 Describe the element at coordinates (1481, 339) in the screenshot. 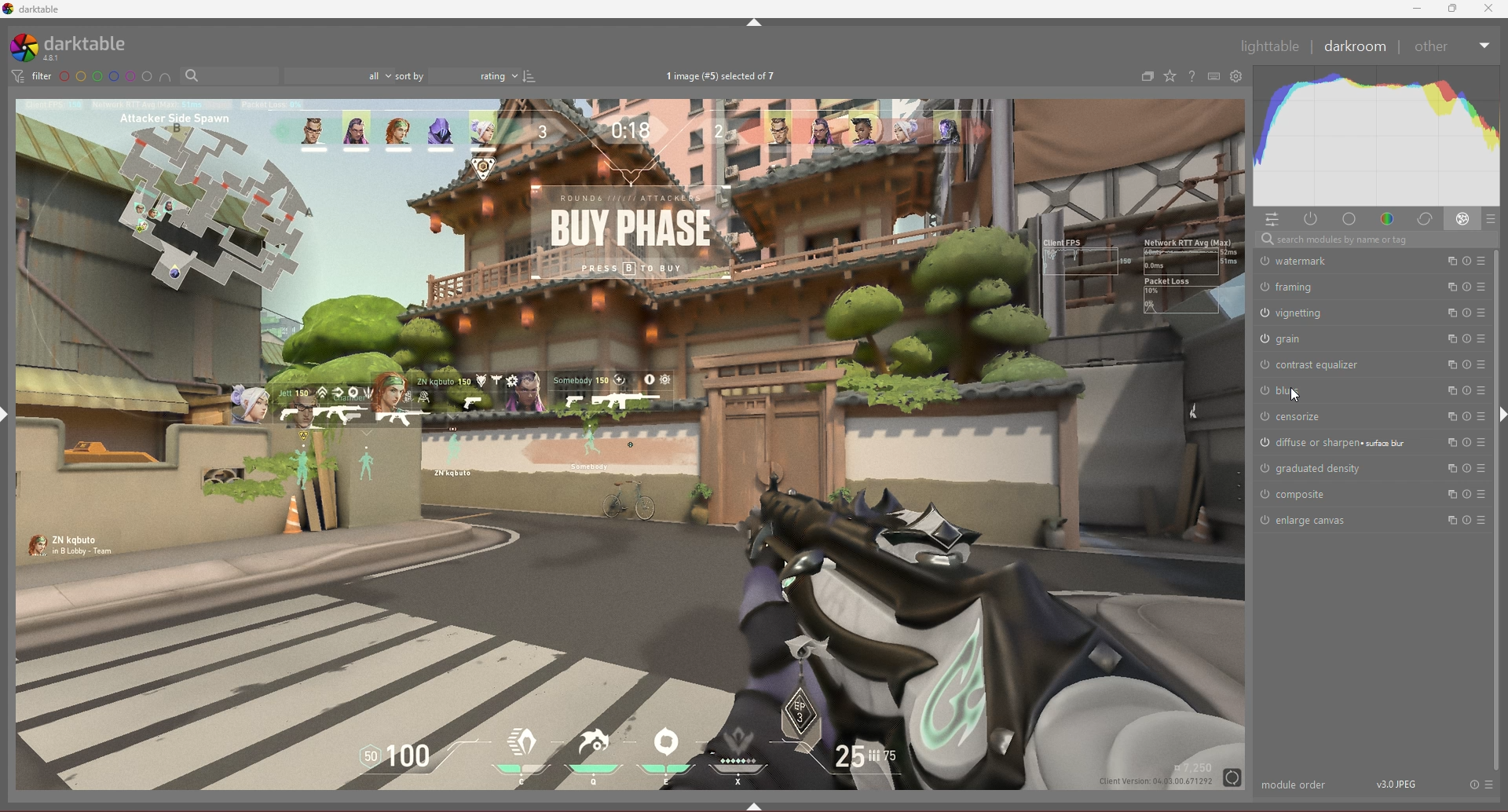

I see `presets` at that location.